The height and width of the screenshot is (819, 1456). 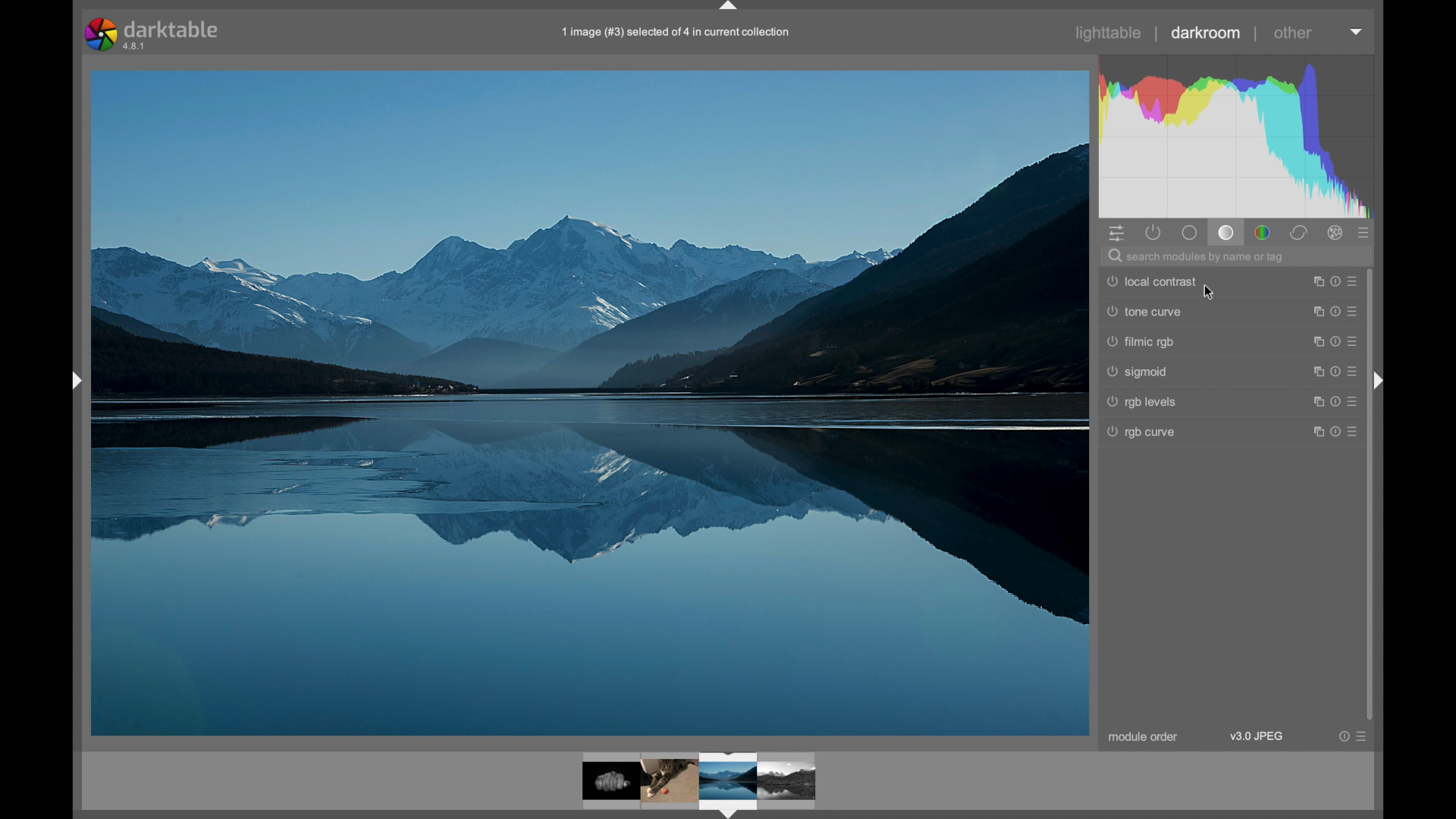 I want to click on rgb curve, so click(x=1143, y=432).